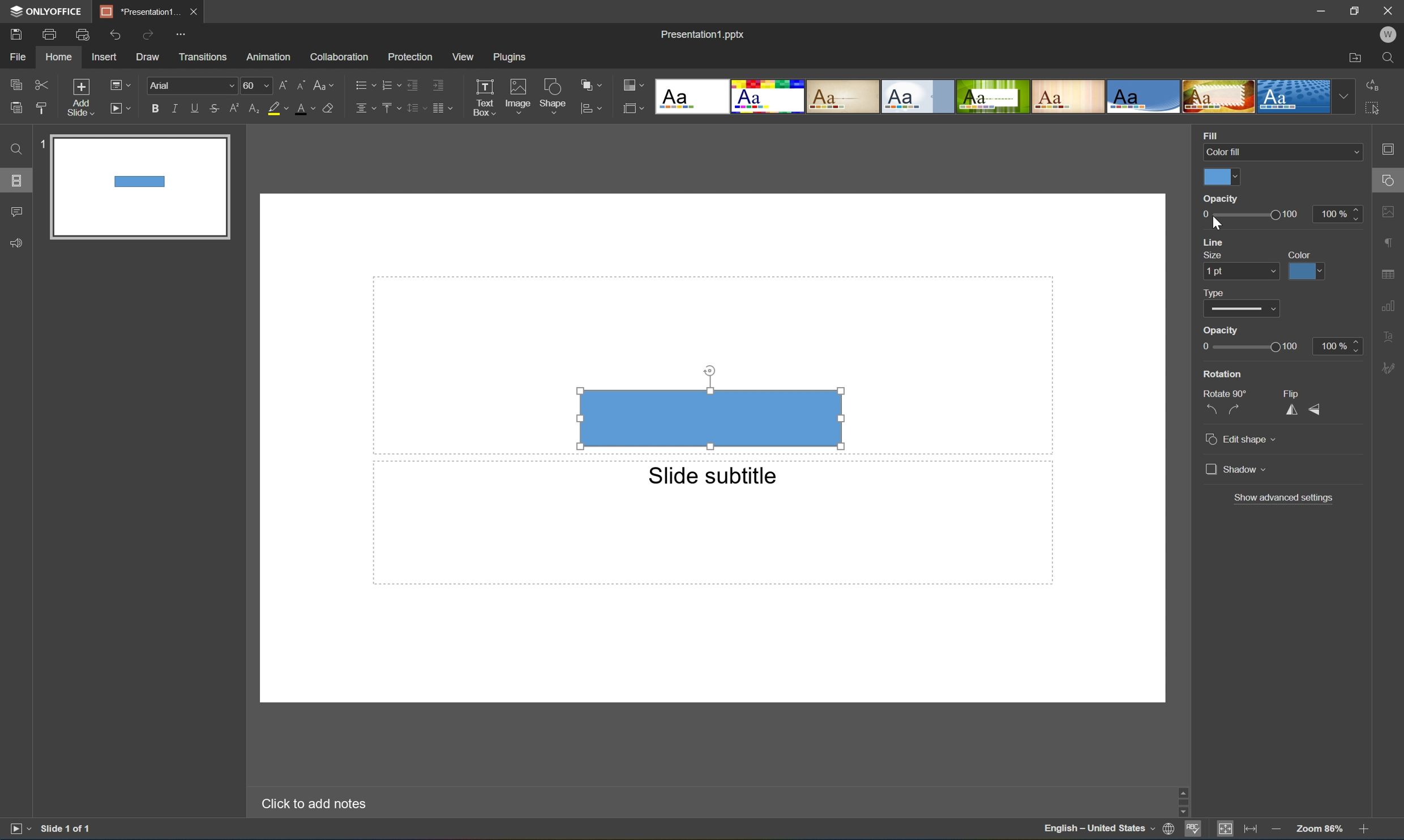 Image resolution: width=1404 pixels, height=840 pixels. Describe the element at coordinates (21, 58) in the screenshot. I see `File` at that location.